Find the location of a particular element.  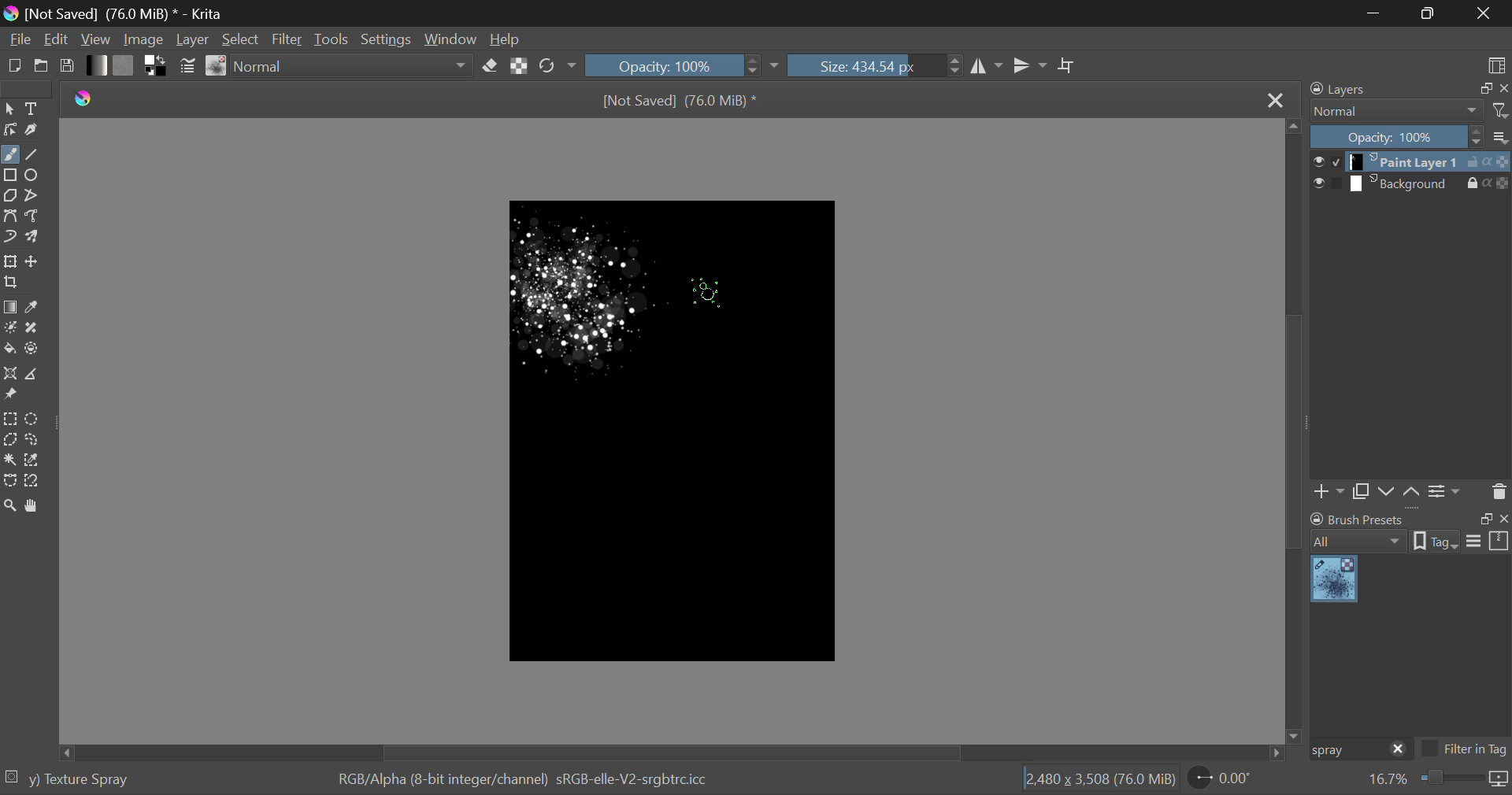

Transform Layer is located at coordinates (10, 261).